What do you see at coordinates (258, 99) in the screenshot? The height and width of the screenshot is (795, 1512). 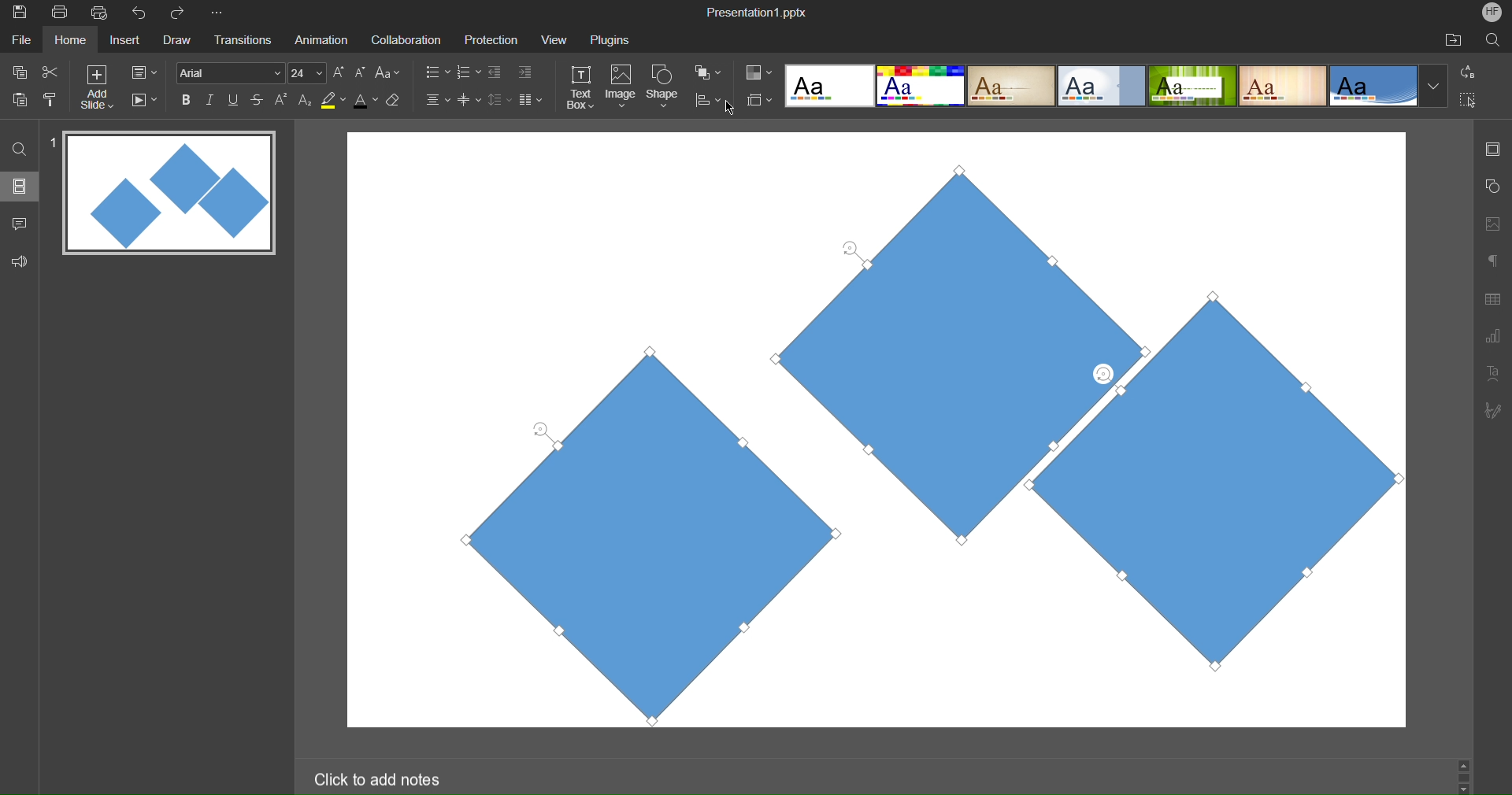 I see `Strikethrough` at bounding box center [258, 99].